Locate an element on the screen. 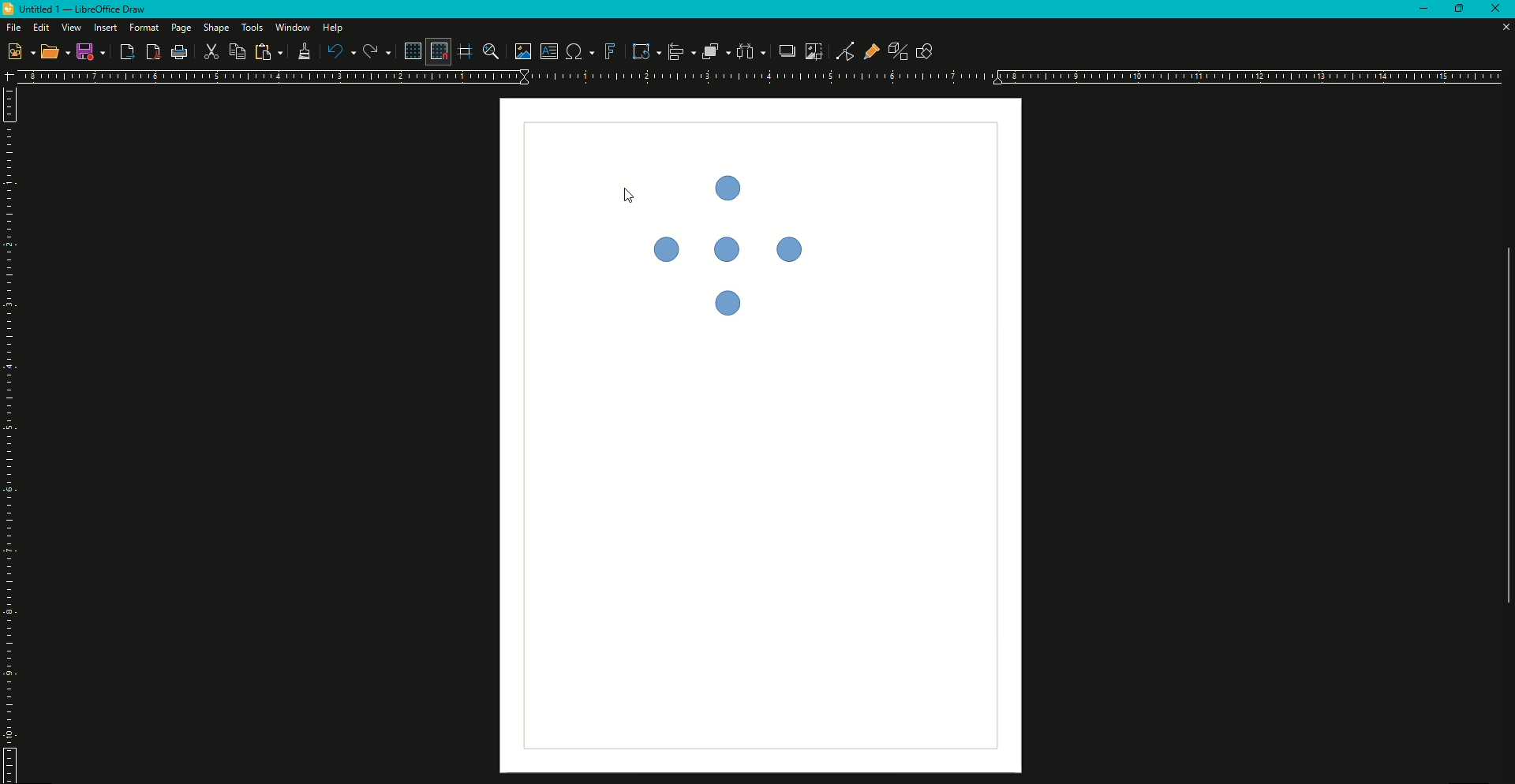 The width and height of the screenshot is (1515, 784). Snap to Grid is located at coordinates (440, 52).